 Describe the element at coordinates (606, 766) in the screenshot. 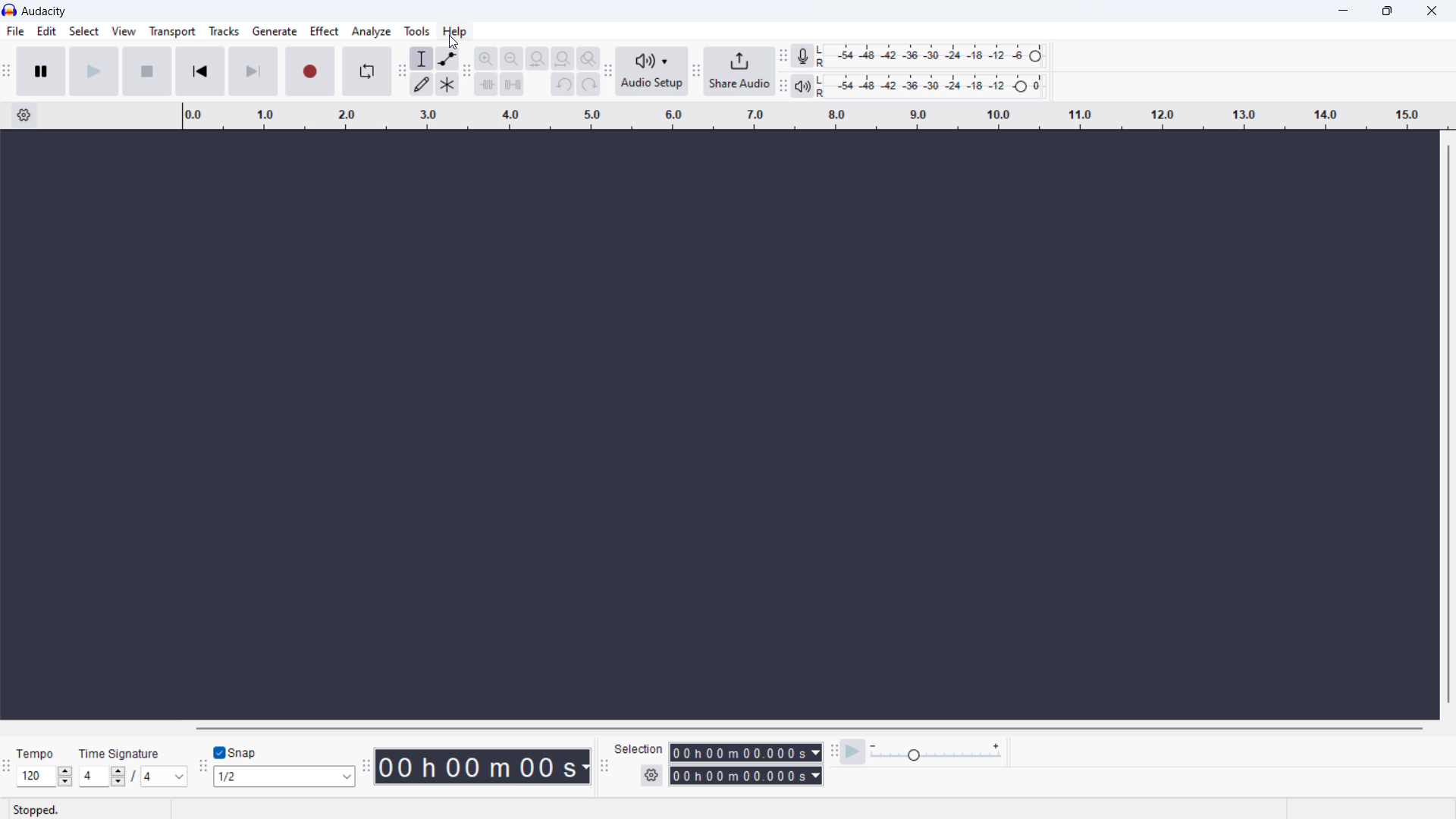

I see `selection toolbar` at that location.